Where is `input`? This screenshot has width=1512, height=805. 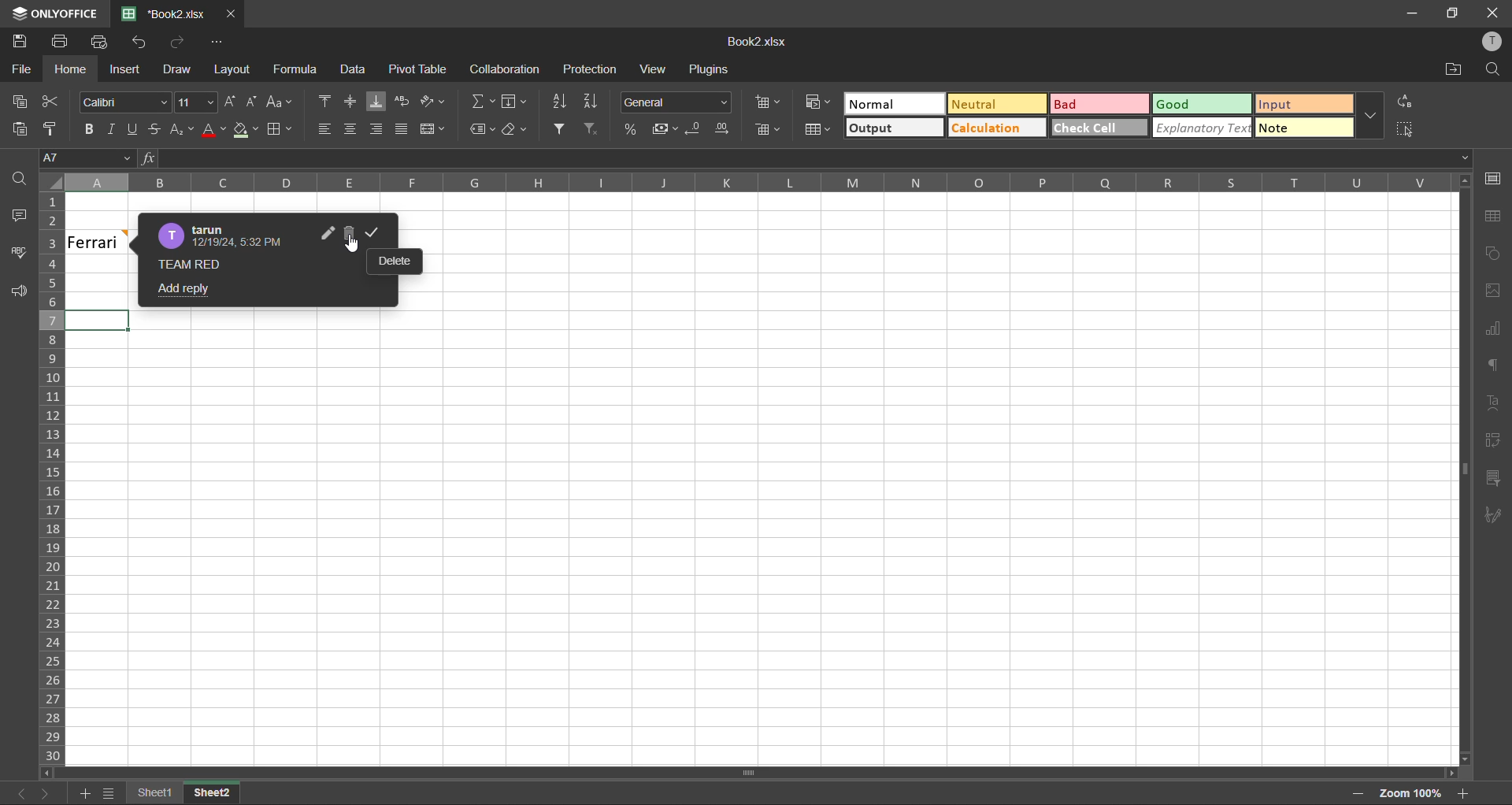 input is located at coordinates (1306, 105).